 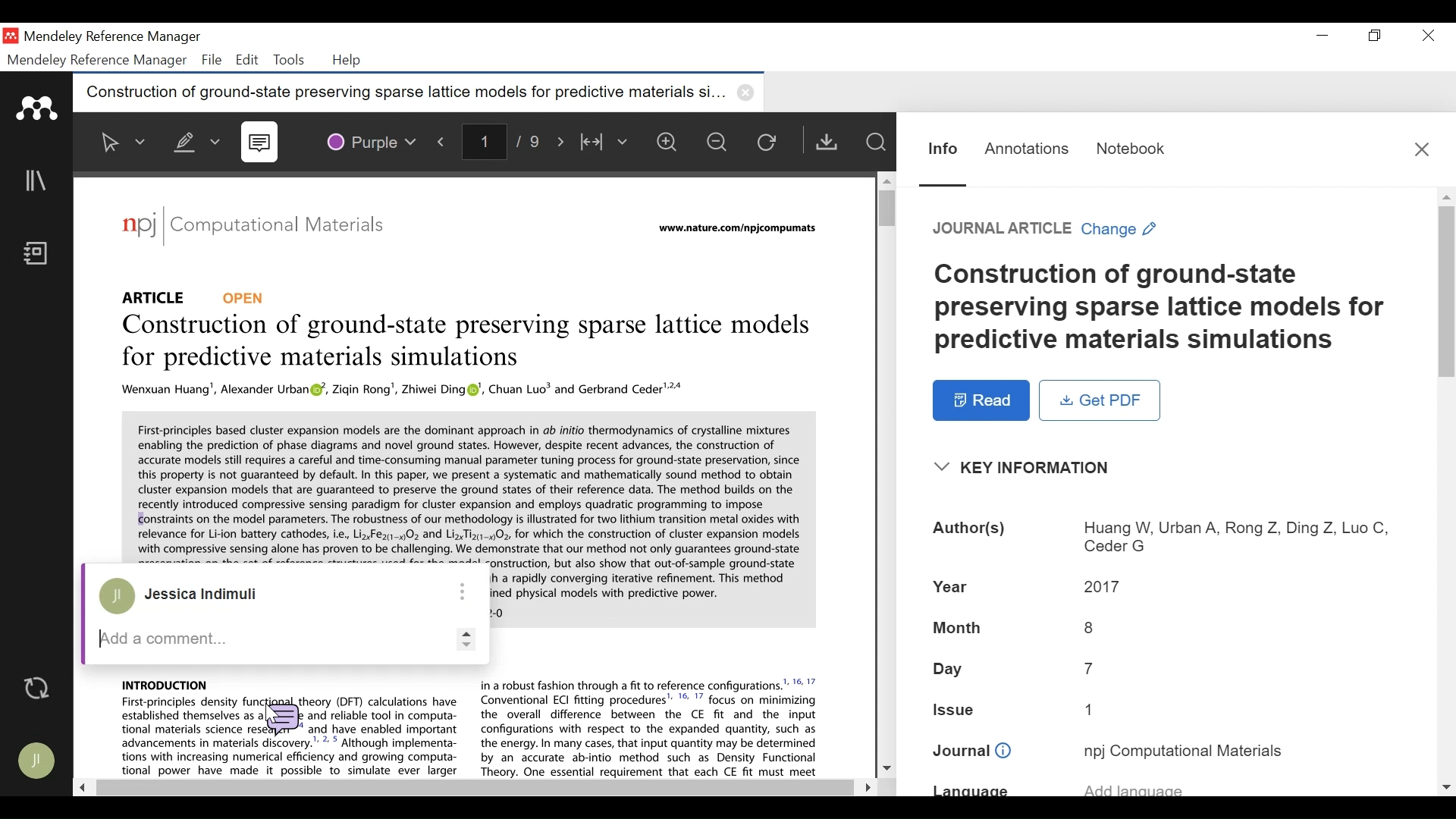 I want to click on more options, so click(x=462, y=590).